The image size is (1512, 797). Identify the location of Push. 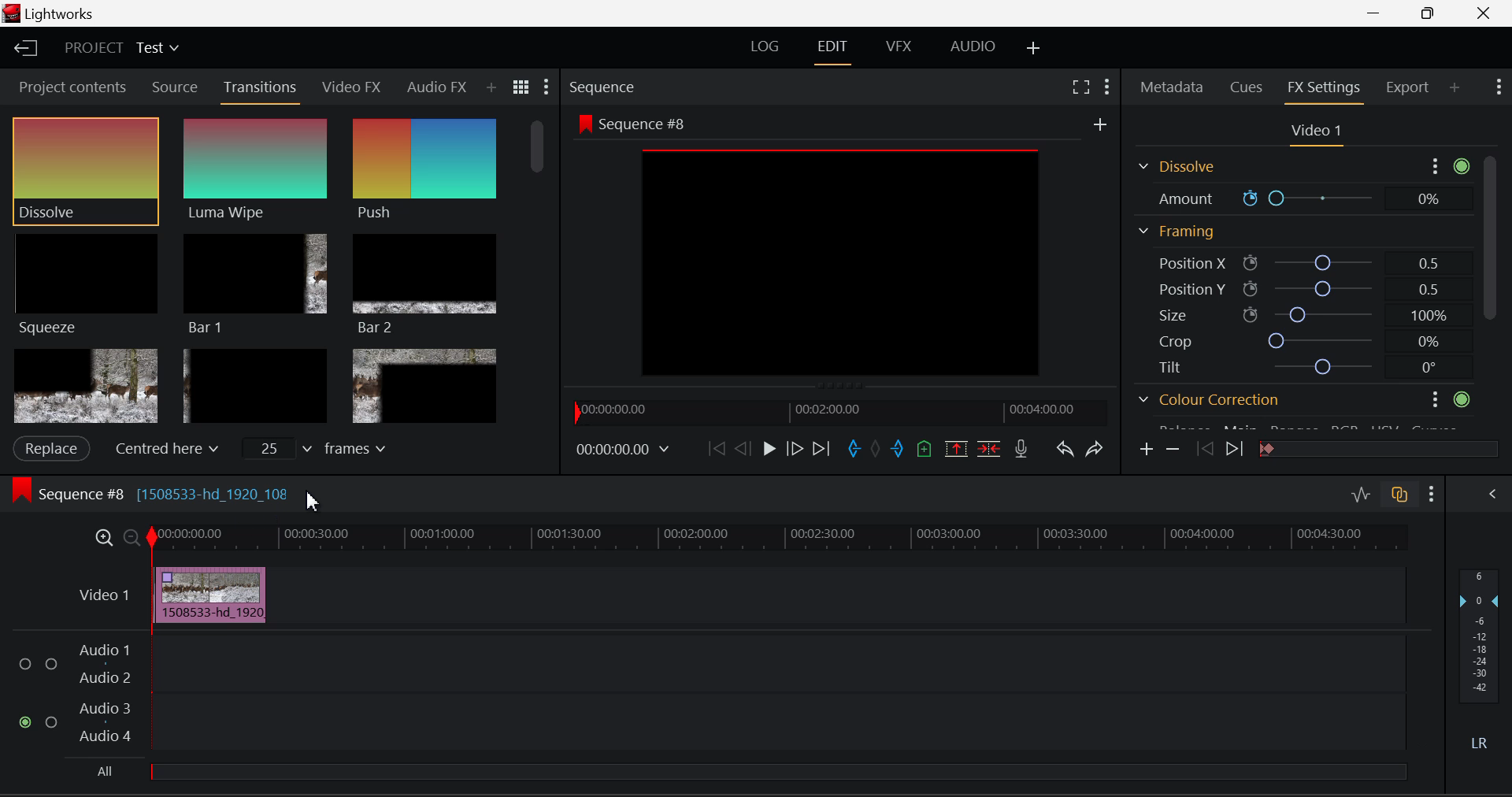
(424, 170).